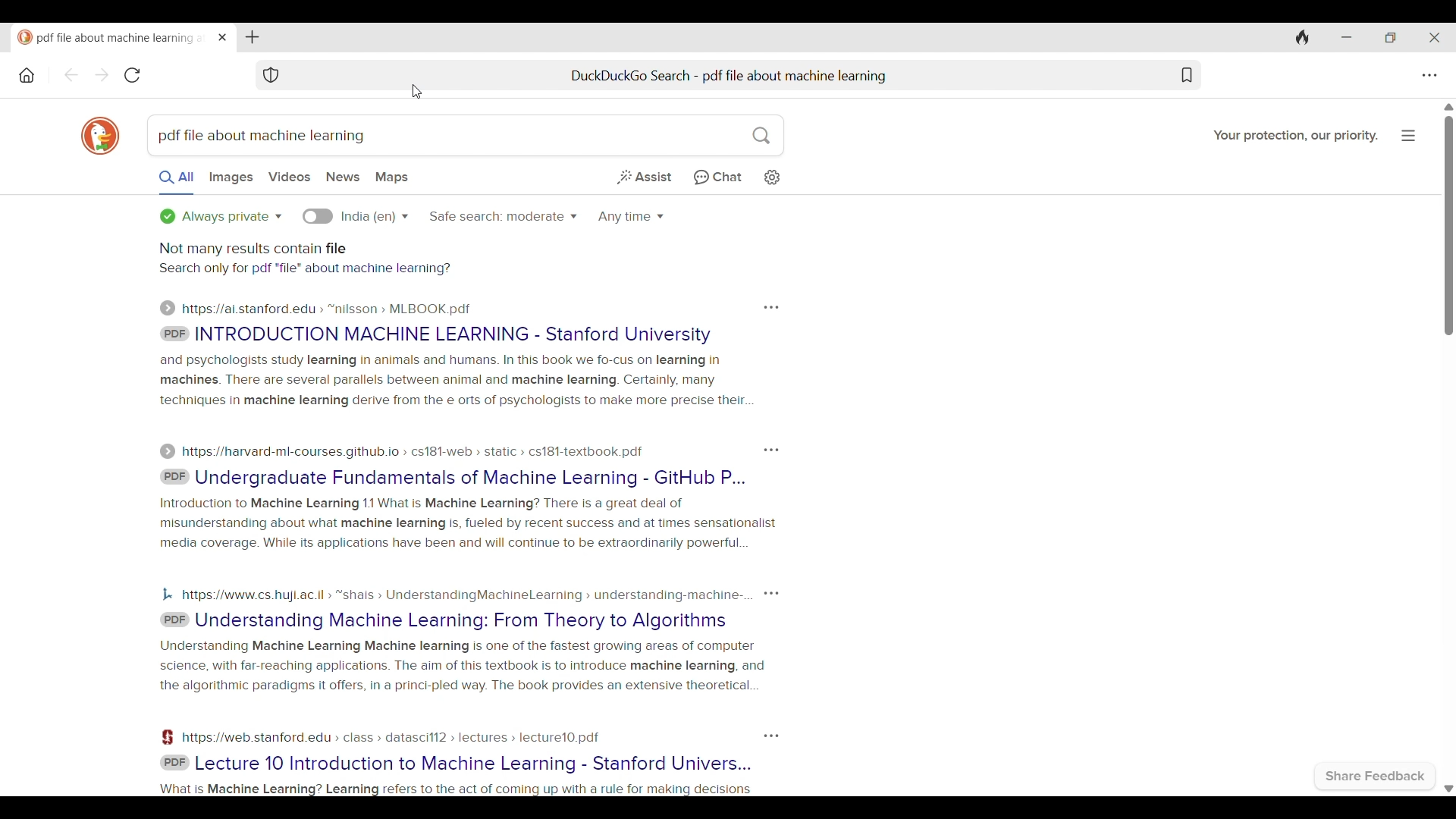 This screenshot has height=819, width=1456. What do you see at coordinates (71, 74) in the screenshot?
I see `Go back in search` at bounding box center [71, 74].